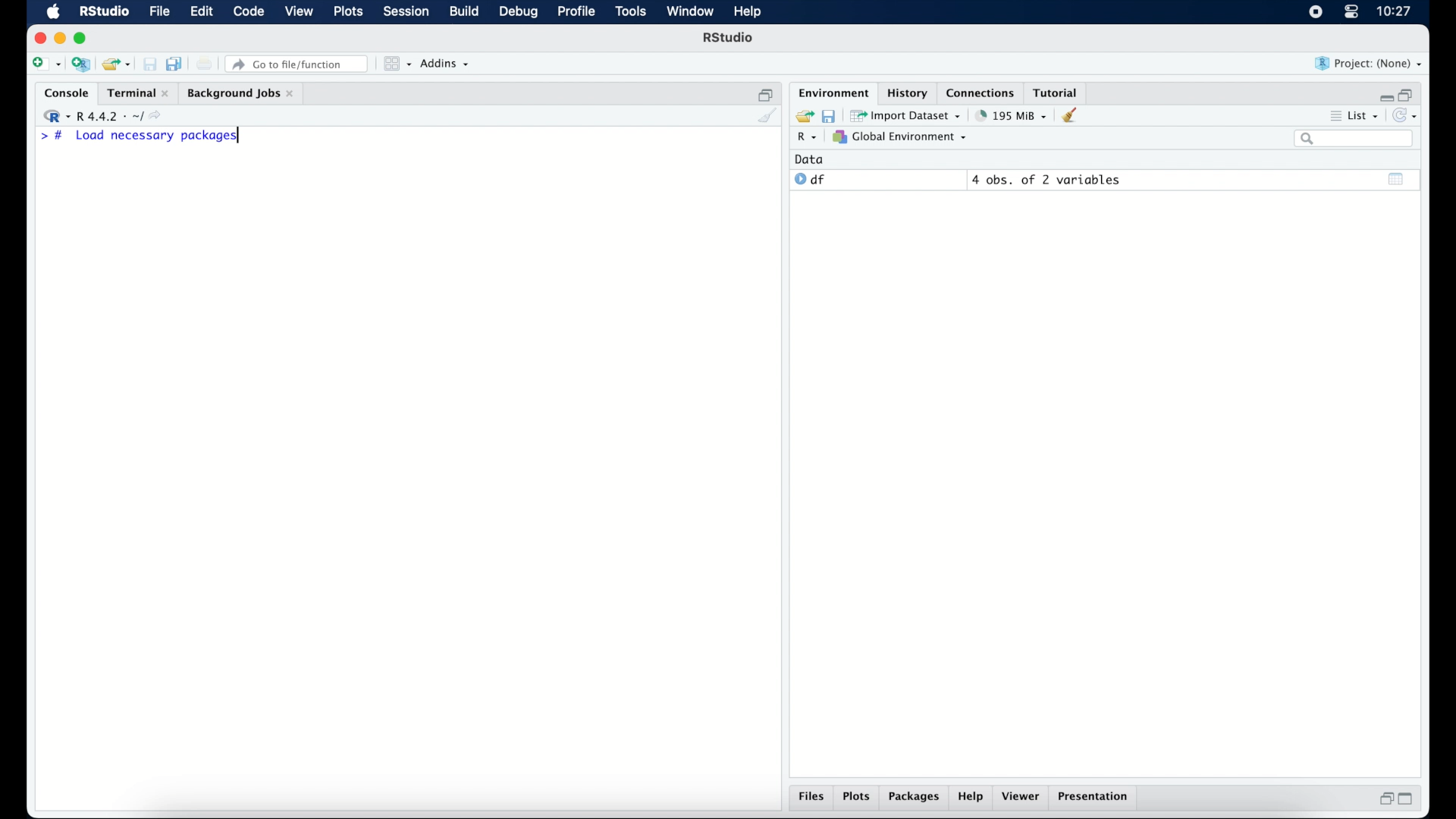 The width and height of the screenshot is (1456, 819). I want to click on minimize, so click(60, 38).